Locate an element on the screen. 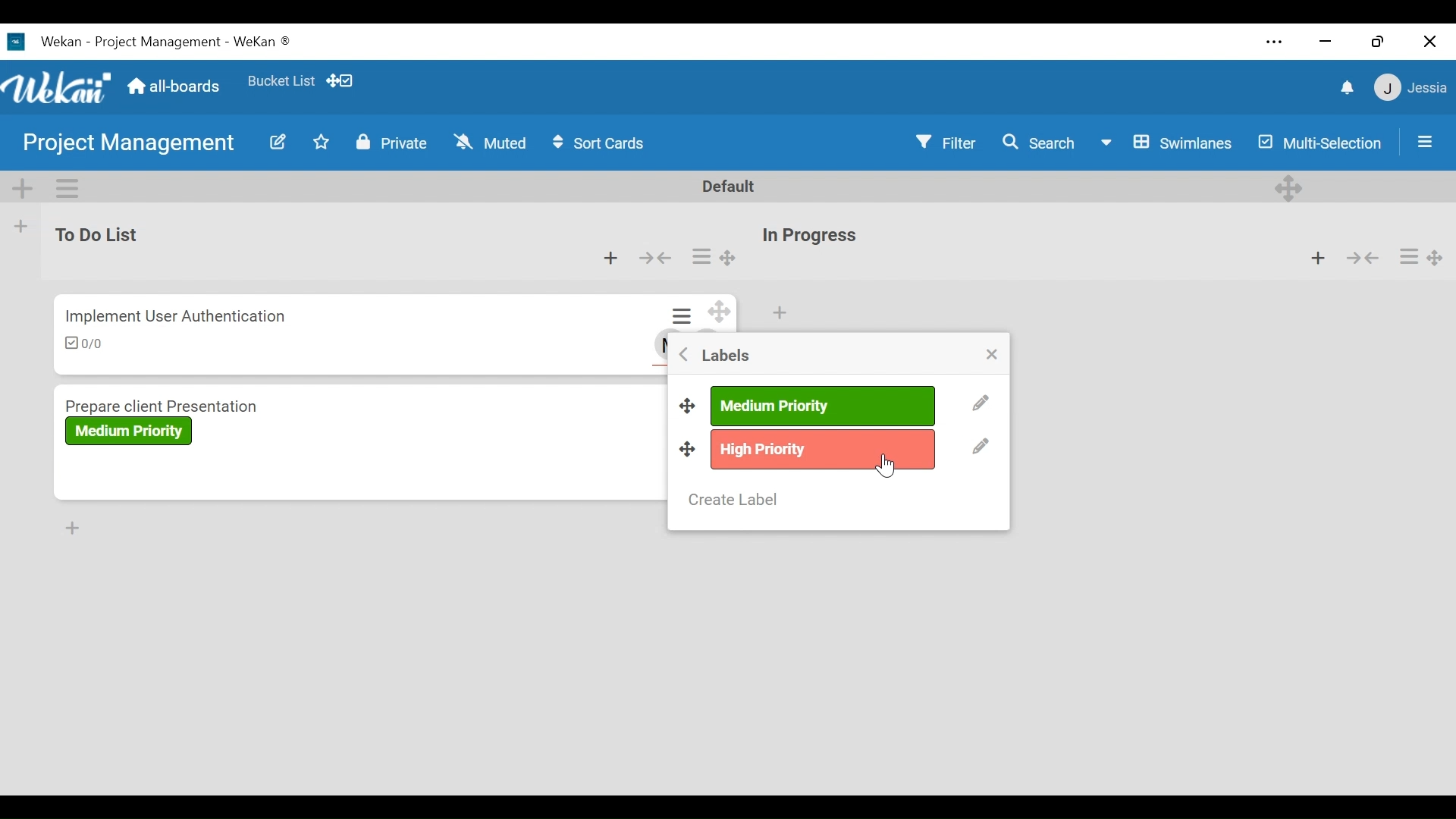 The height and width of the screenshot is (819, 1456). Desktop drag handle is located at coordinates (729, 259).